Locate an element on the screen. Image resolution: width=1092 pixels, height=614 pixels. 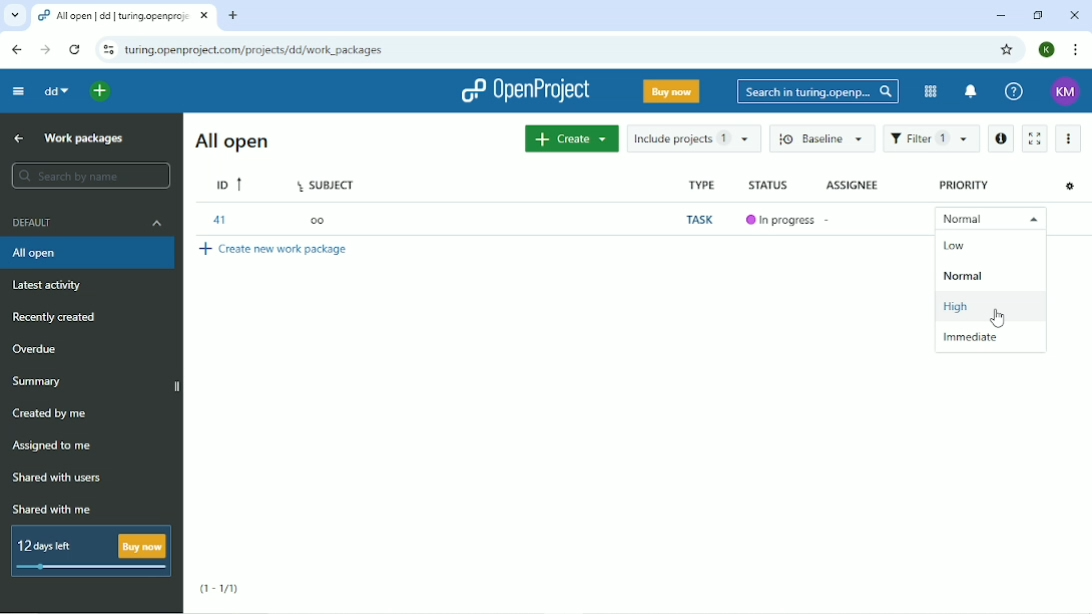
Create is located at coordinates (570, 139).